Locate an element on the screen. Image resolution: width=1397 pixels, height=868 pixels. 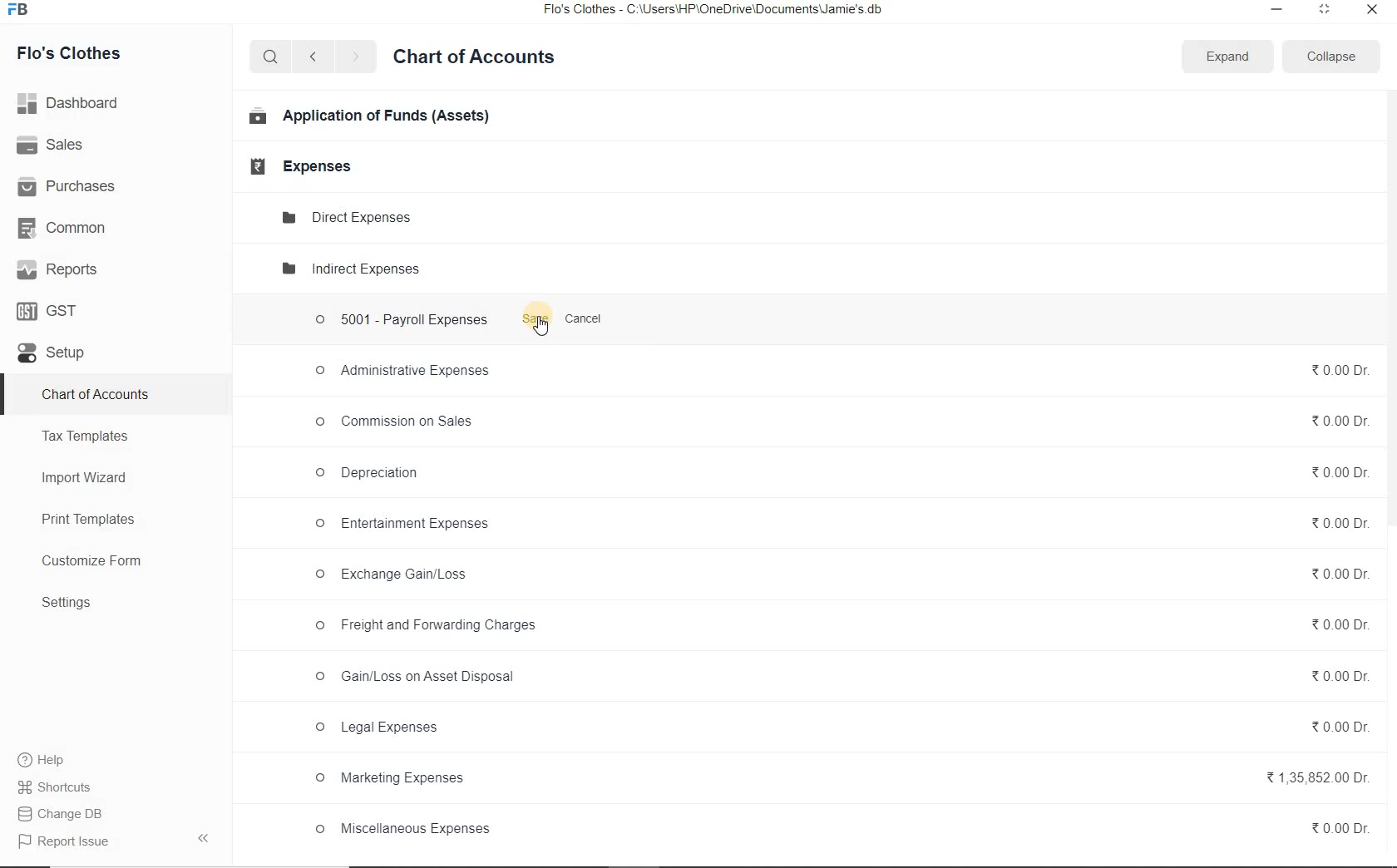
© Marketing Expenses %1,35,852.00 Dr. is located at coordinates (842, 780).